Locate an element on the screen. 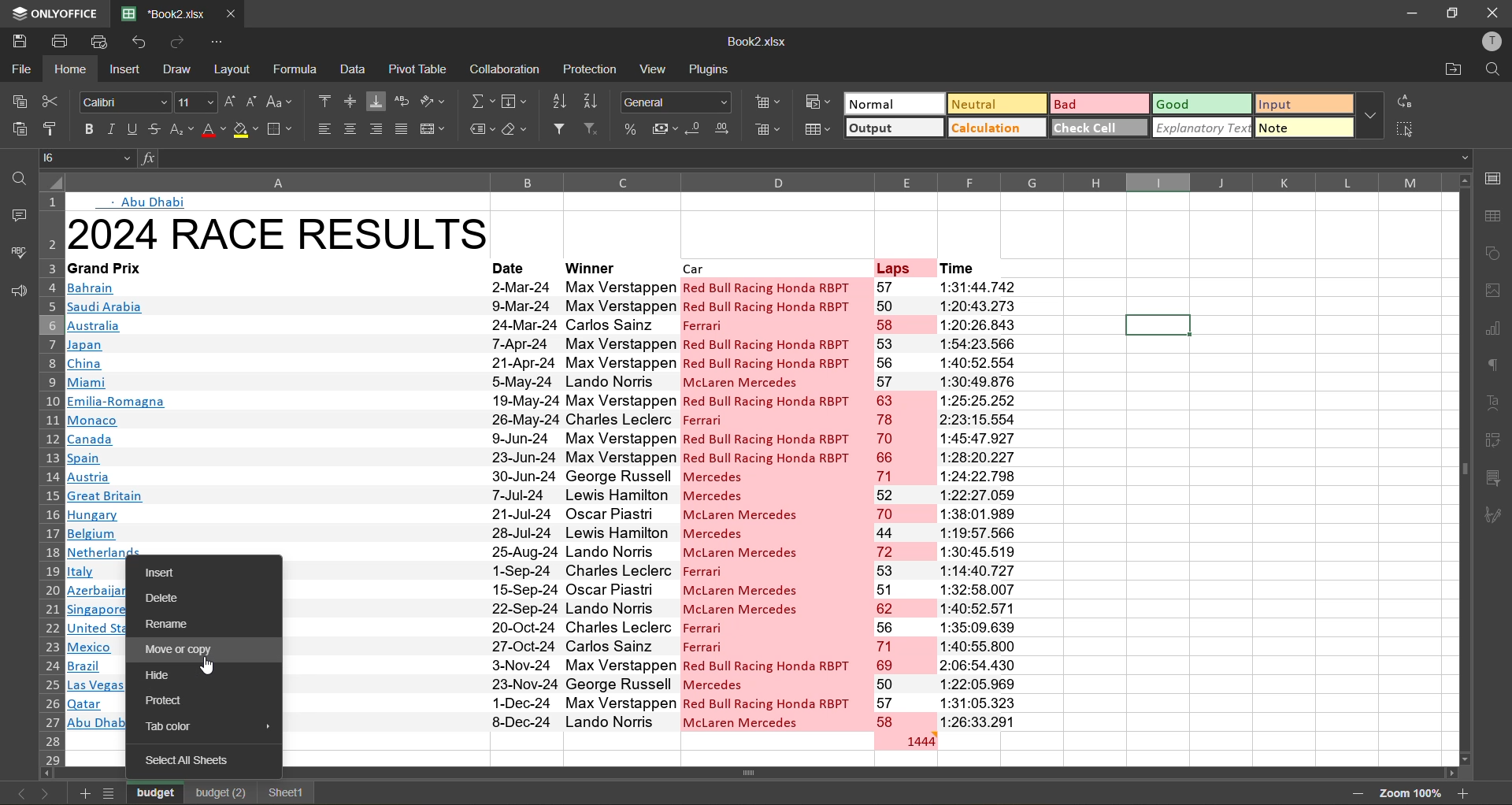 This screenshot has width=1512, height=805. date is located at coordinates (524, 502).